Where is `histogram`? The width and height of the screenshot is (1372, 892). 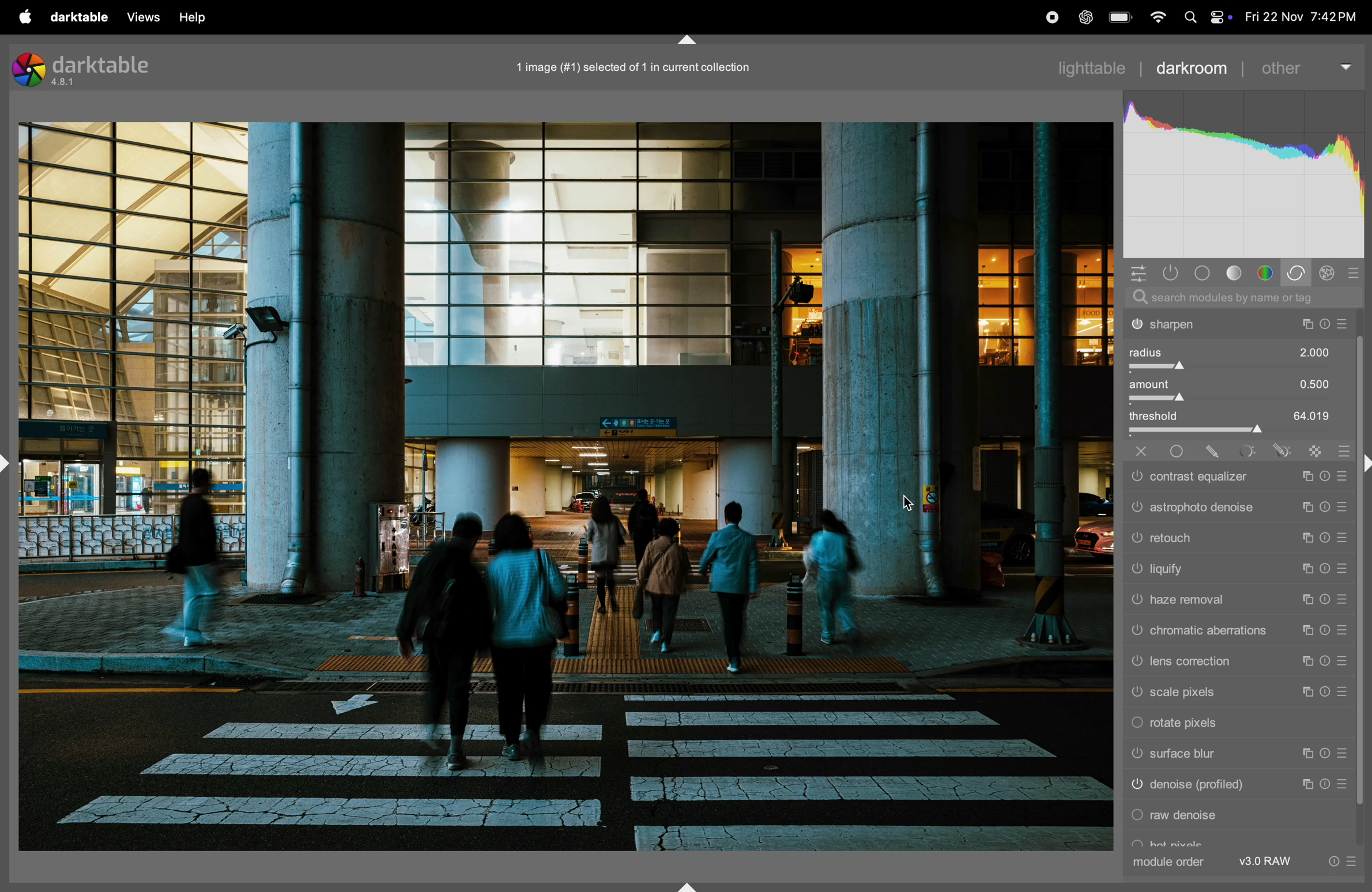
histogram is located at coordinates (1245, 171).